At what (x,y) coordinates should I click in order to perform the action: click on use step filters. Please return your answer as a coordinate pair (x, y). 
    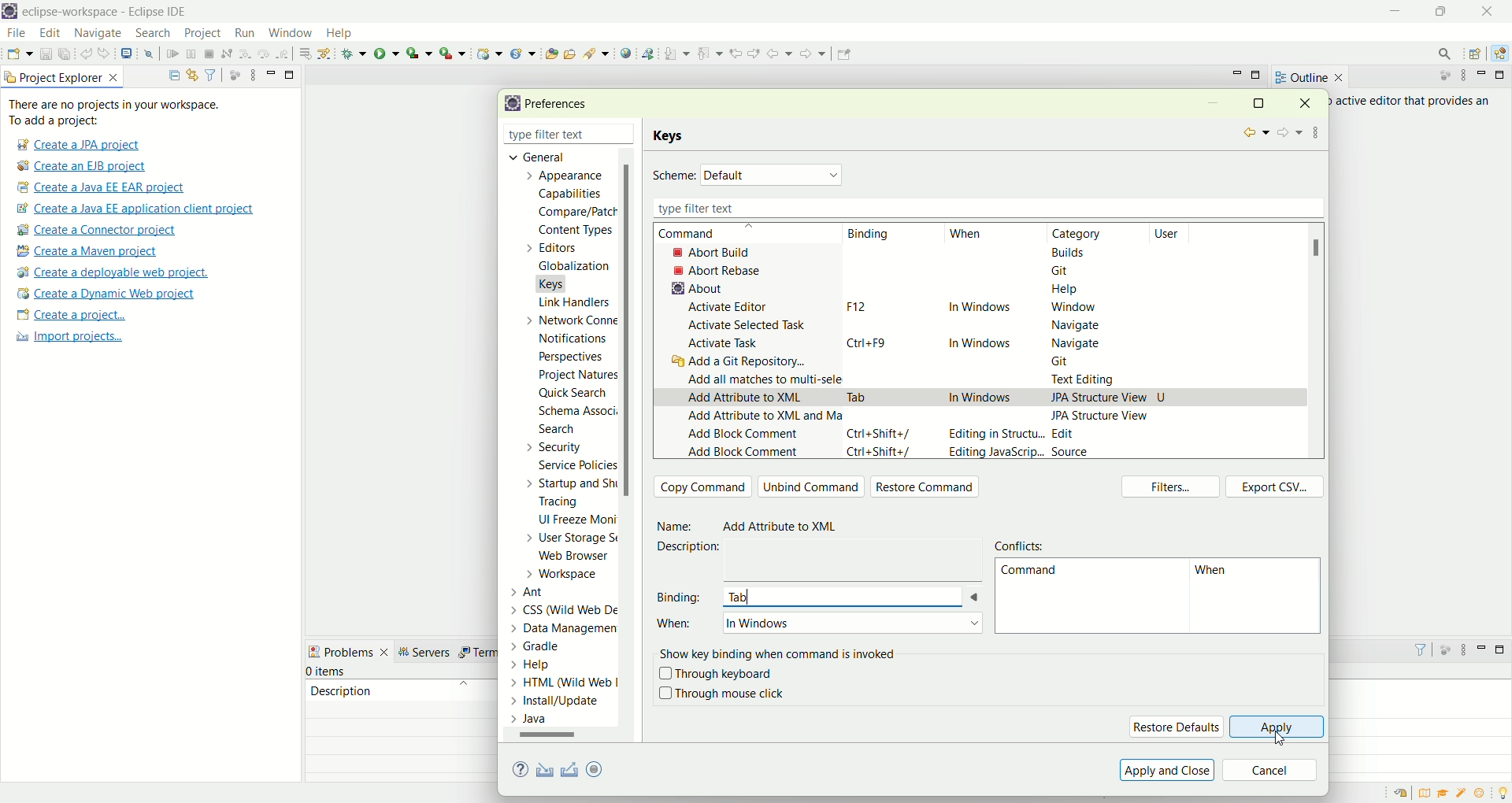
    Looking at the image, I should click on (325, 53).